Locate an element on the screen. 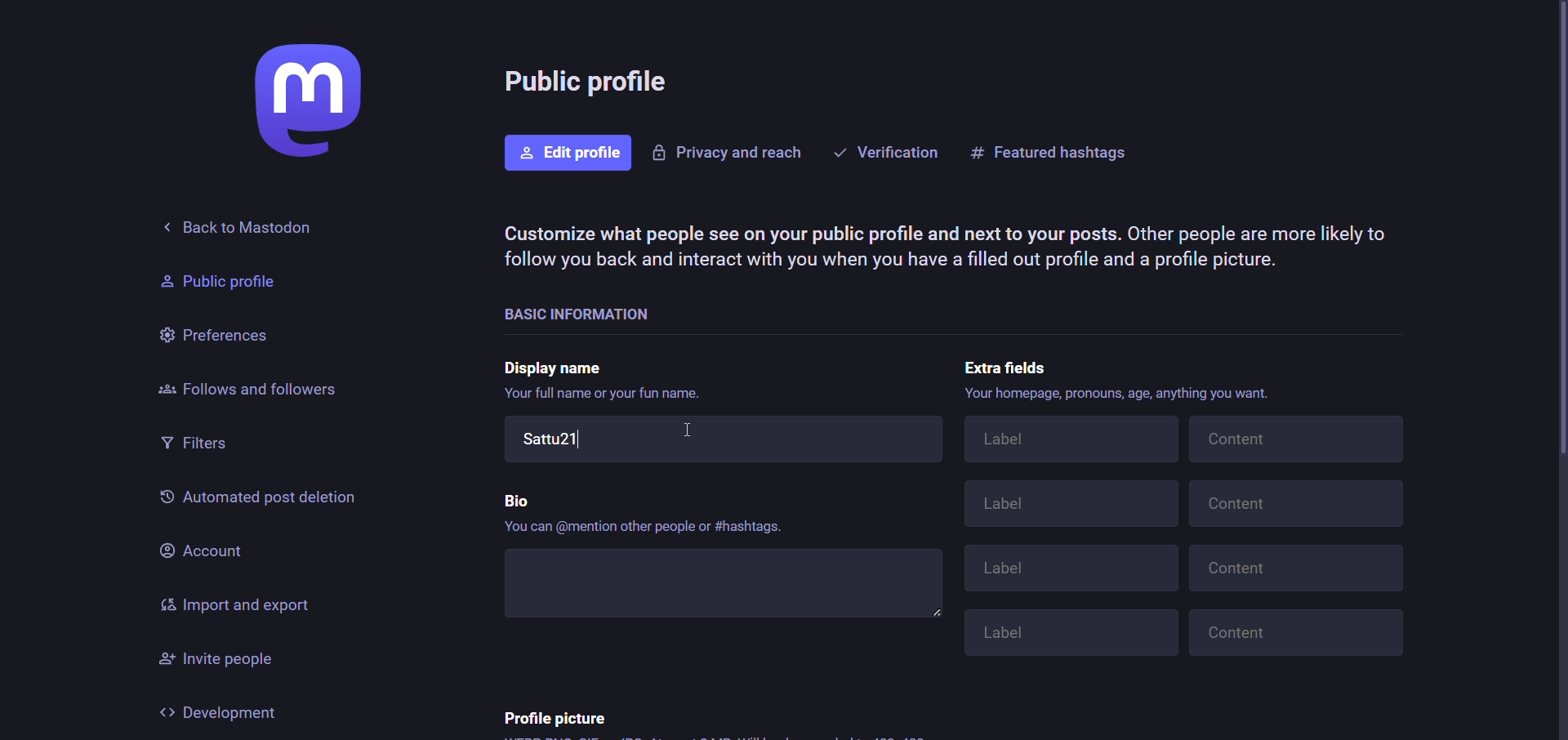  Content  is located at coordinates (1295, 569).